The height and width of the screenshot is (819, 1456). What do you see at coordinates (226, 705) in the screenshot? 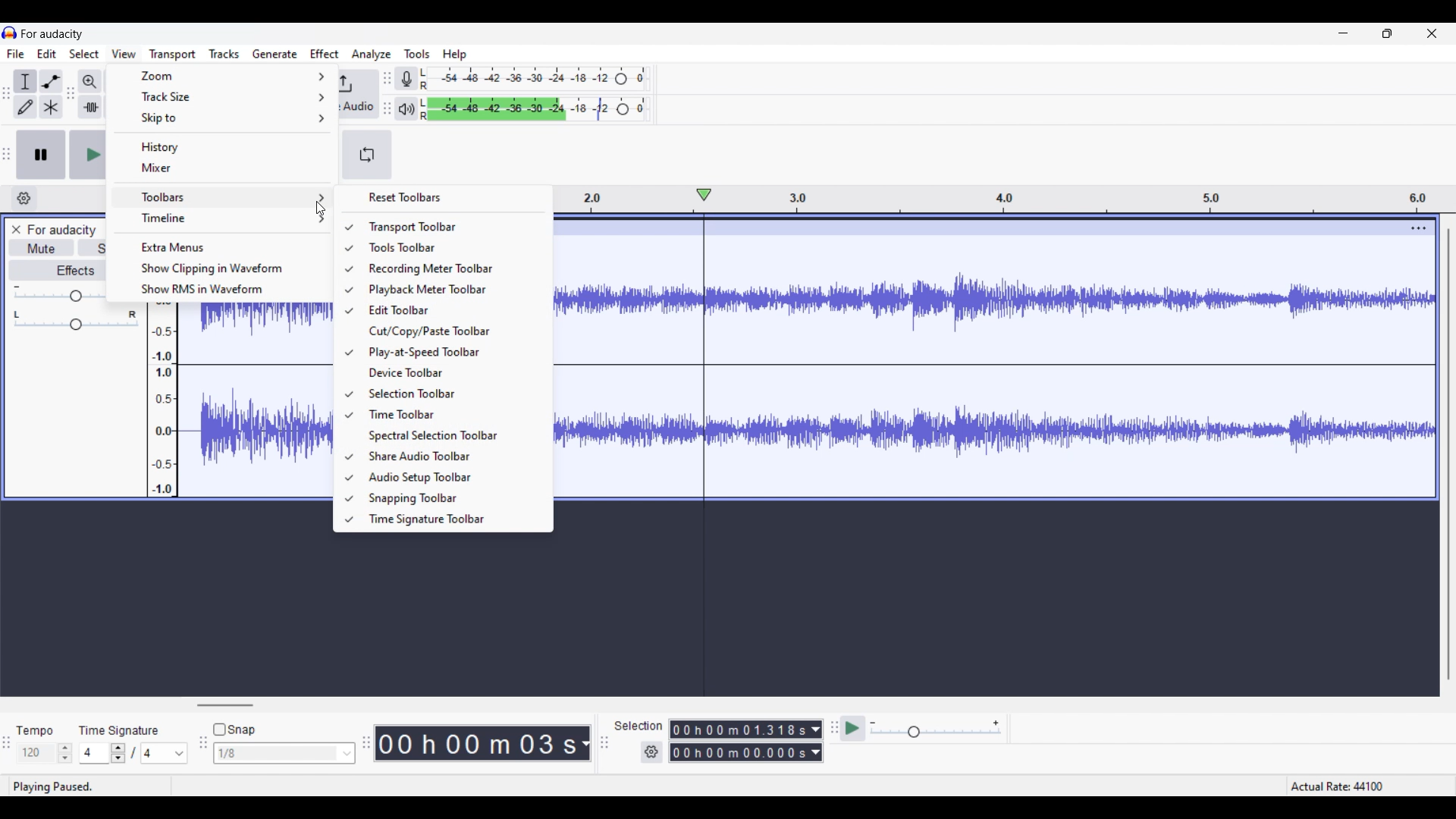
I see `Horizontal slide bar` at bounding box center [226, 705].